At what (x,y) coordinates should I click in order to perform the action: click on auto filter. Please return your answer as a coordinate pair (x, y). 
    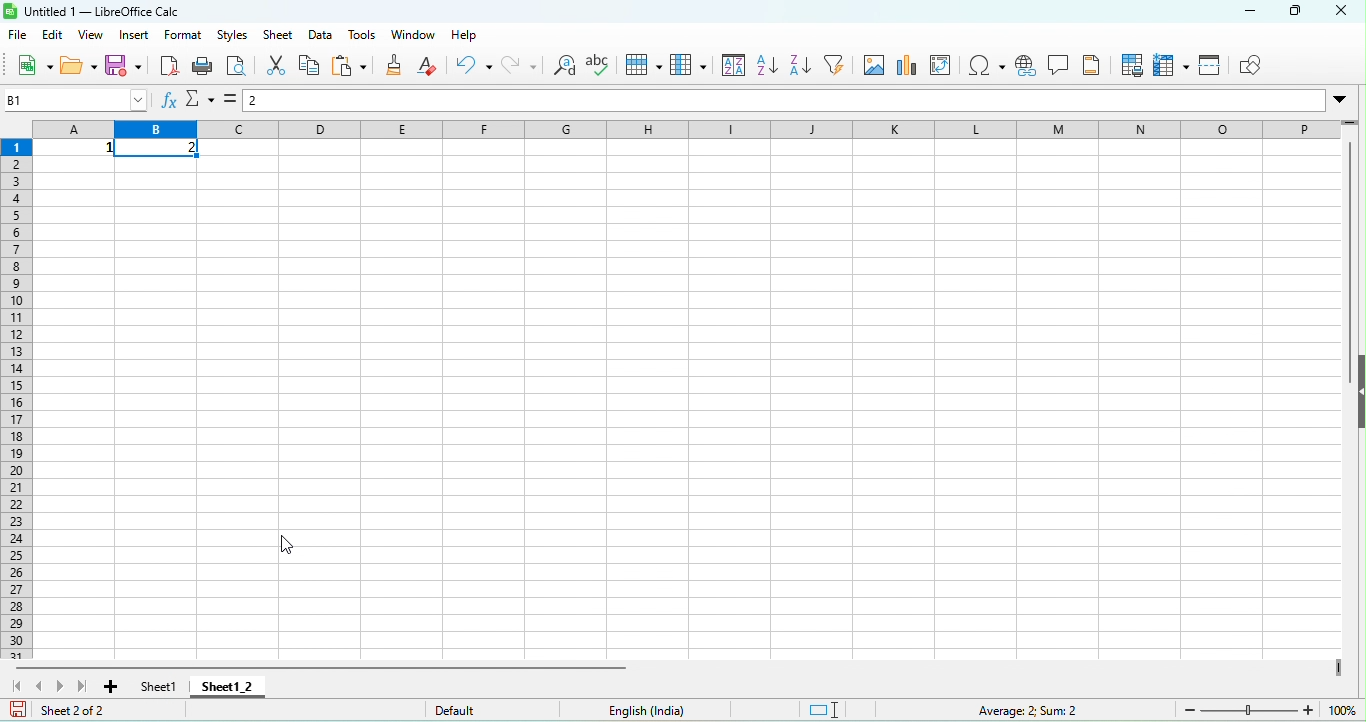
    Looking at the image, I should click on (840, 68).